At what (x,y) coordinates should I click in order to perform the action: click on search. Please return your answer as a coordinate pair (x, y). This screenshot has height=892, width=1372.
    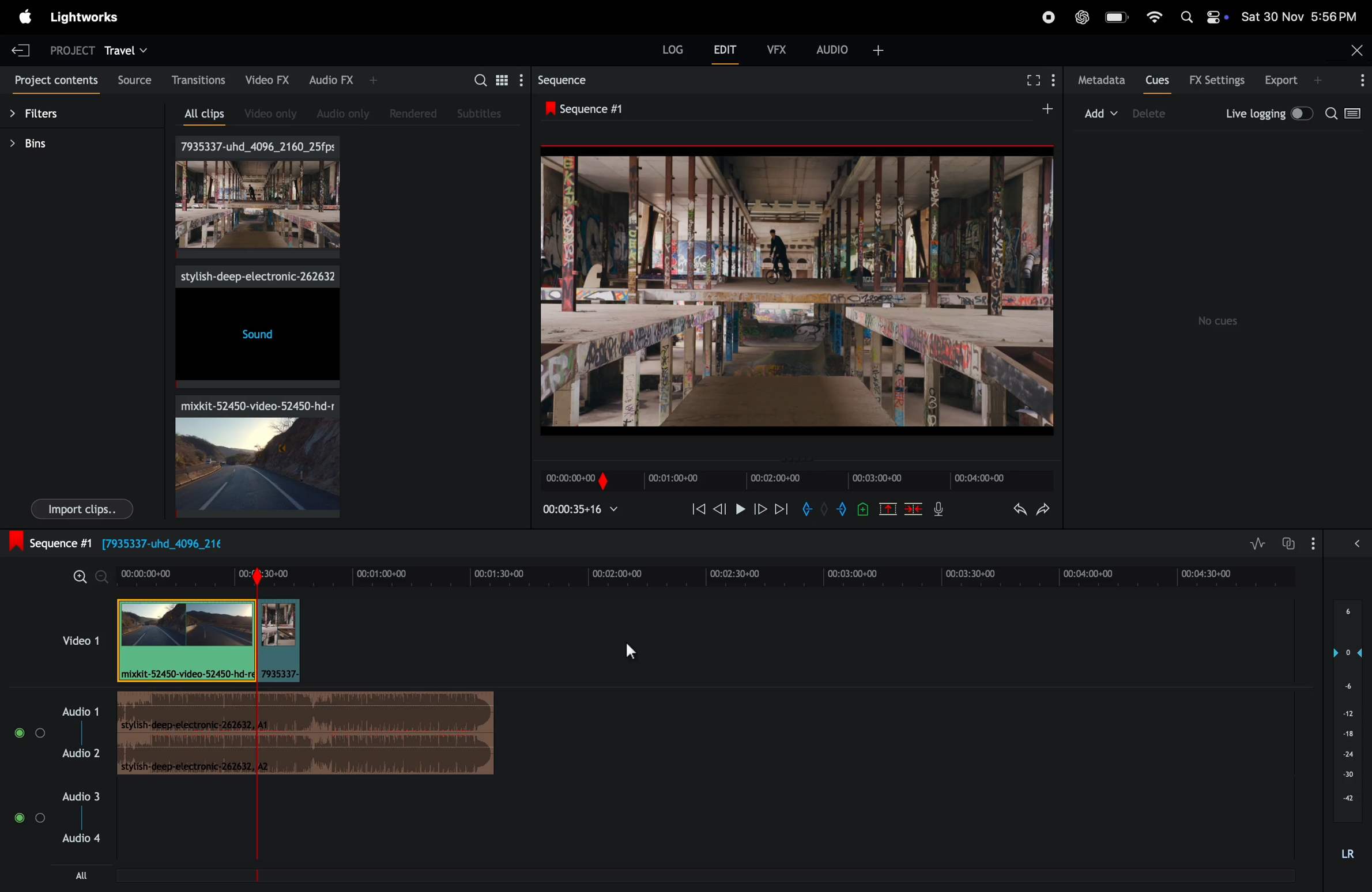
    Looking at the image, I should click on (1345, 115).